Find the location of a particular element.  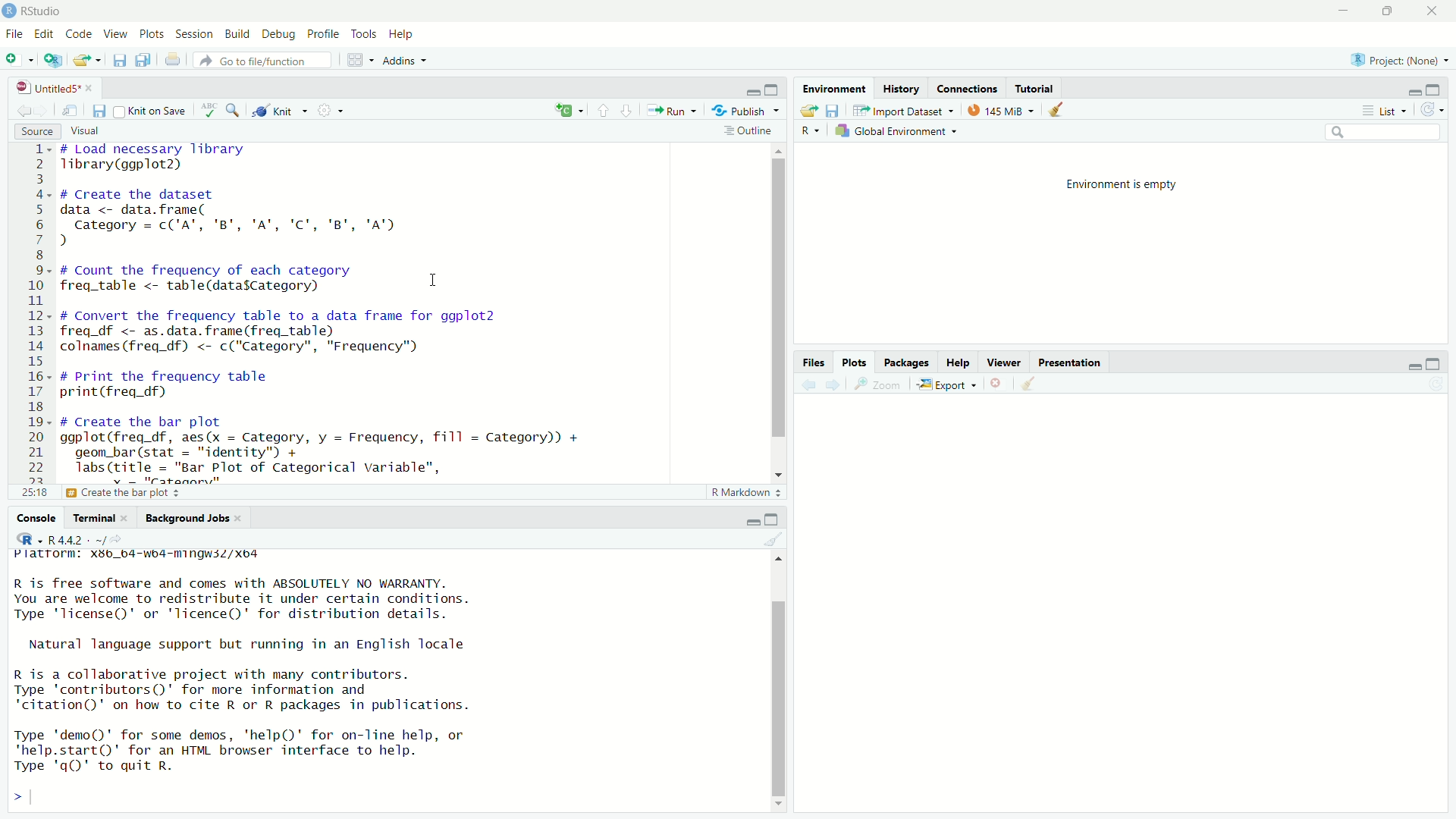

source is located at coordinates (38, 132).